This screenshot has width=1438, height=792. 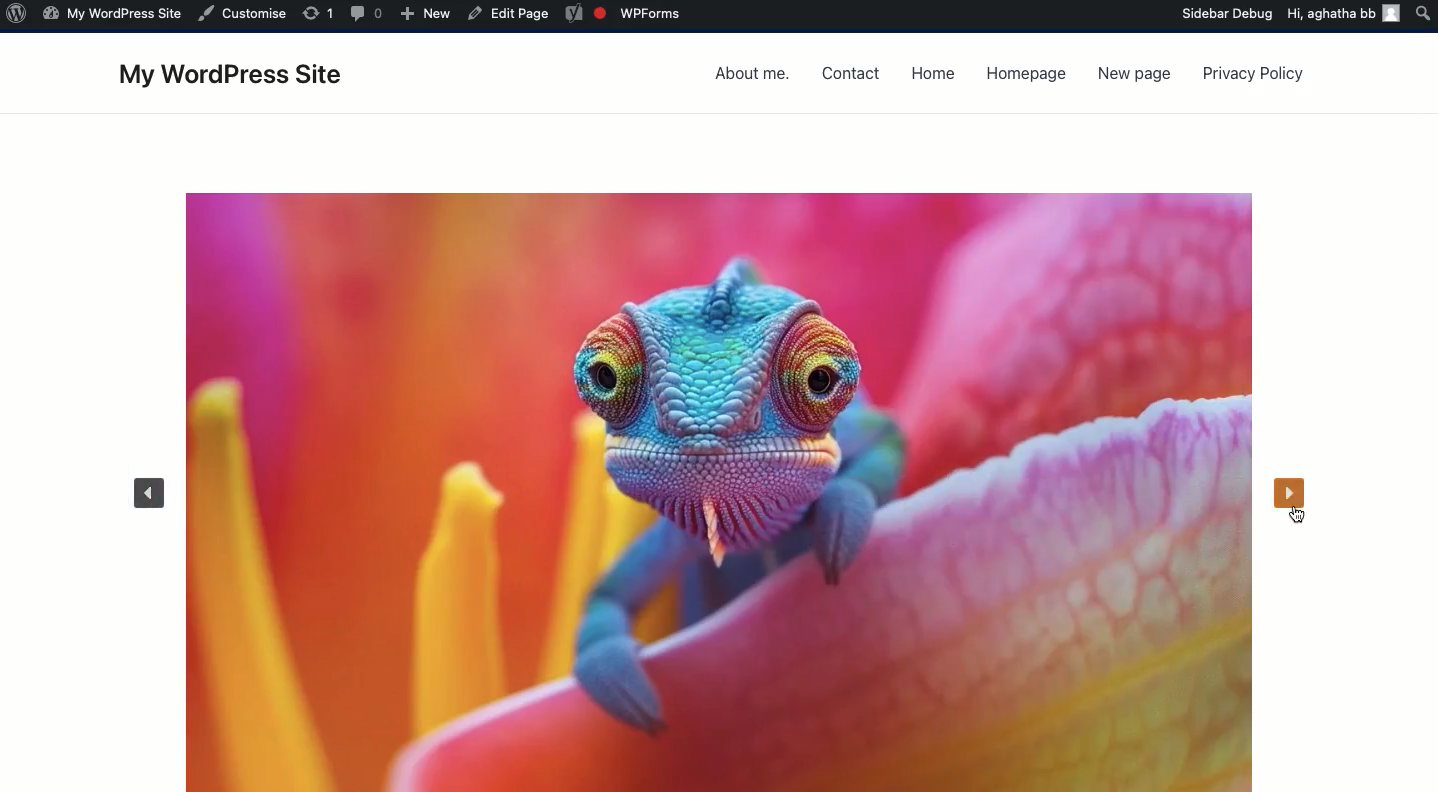 What do you see at coordinates (718, 490) in the screenshot?
I see `Image` at bounding box center [718, 490].